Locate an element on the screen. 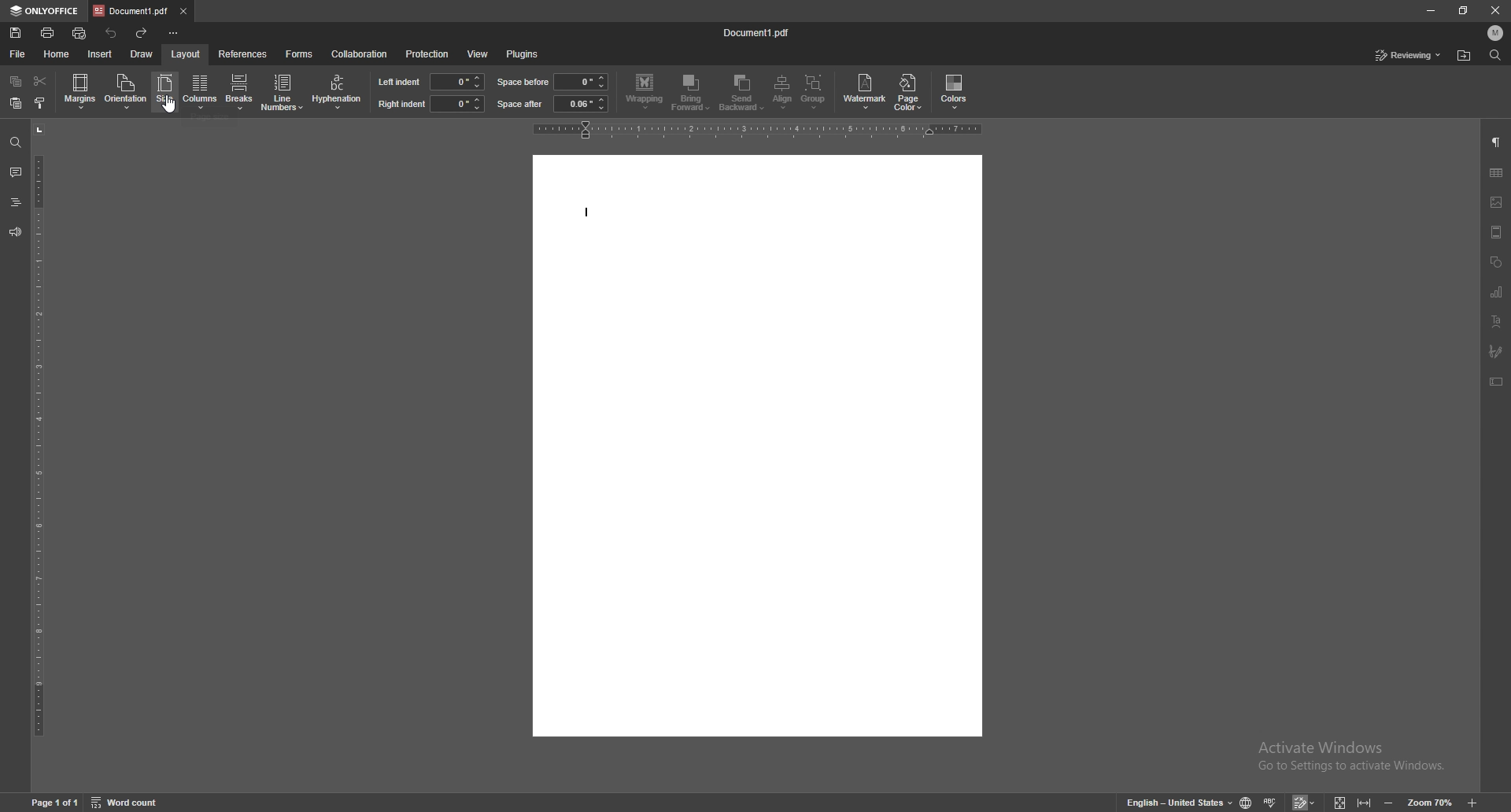 The image size is (1511, 812). find is located at coordinates (15, 143).